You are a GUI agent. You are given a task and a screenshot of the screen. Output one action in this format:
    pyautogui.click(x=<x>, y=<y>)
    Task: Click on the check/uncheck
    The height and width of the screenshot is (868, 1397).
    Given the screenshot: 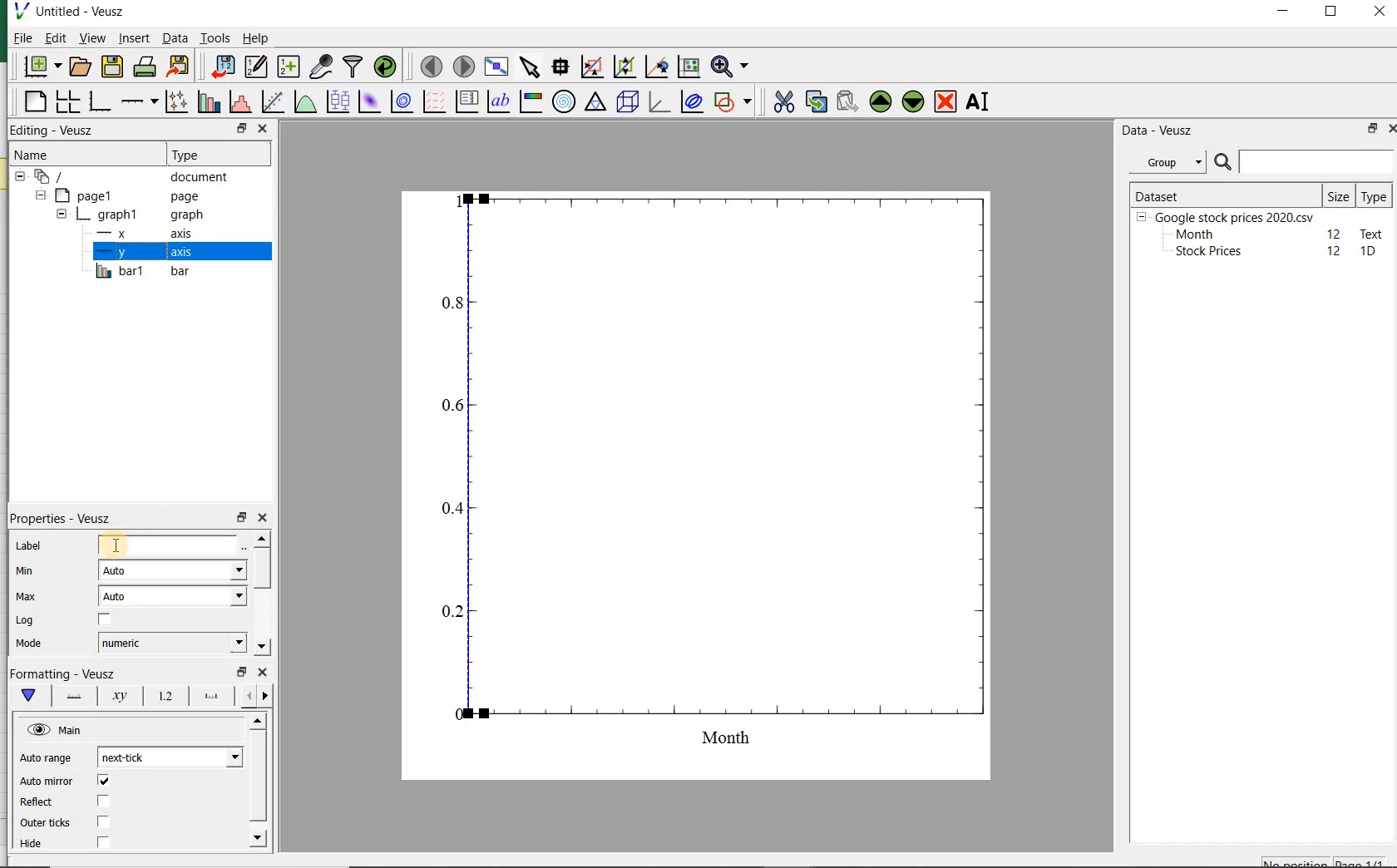 What is the action you would take?
    pyautogui.click(x=103, y=821)
    